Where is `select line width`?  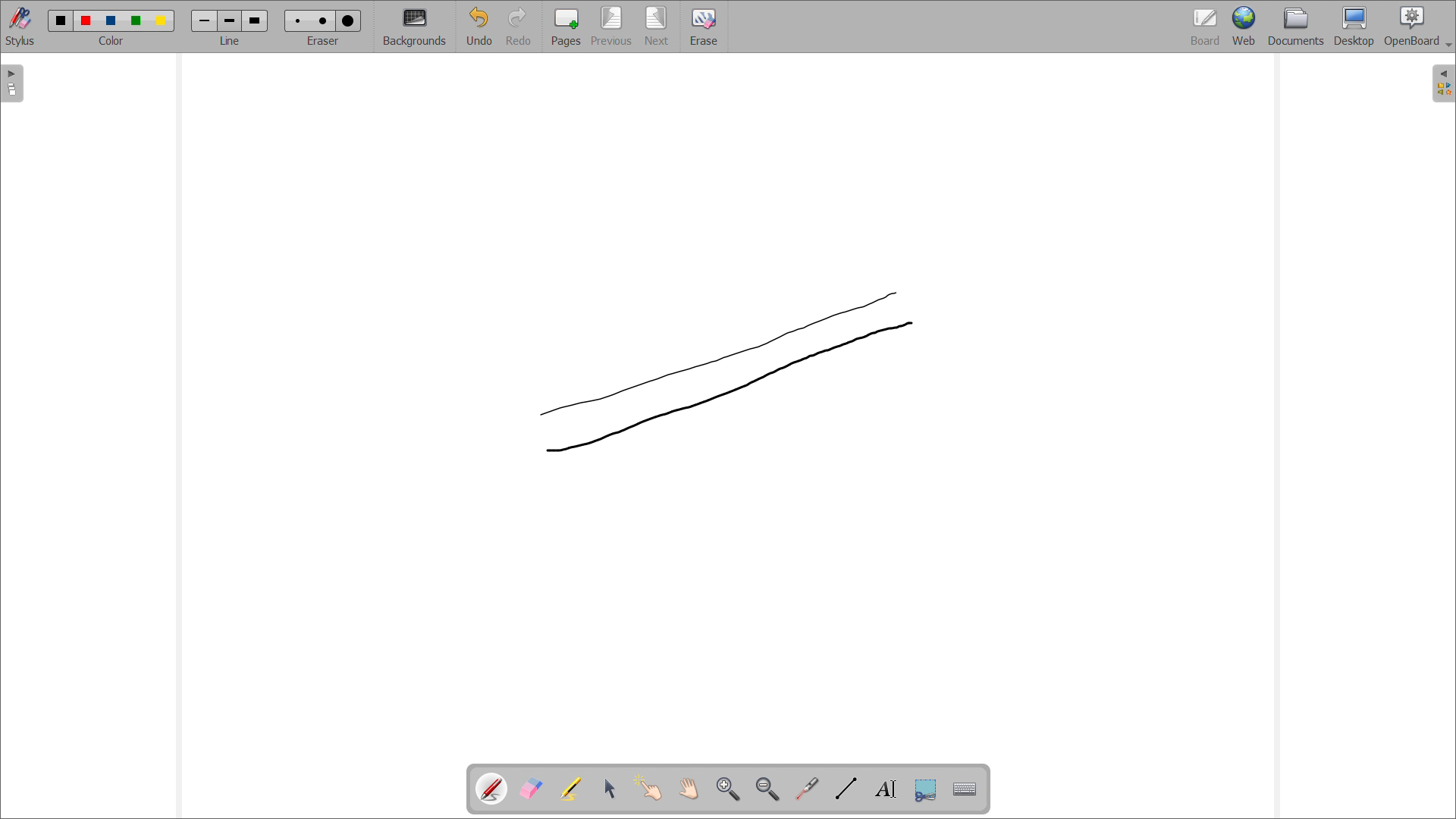 select line width is located at coordinates (230, 42).